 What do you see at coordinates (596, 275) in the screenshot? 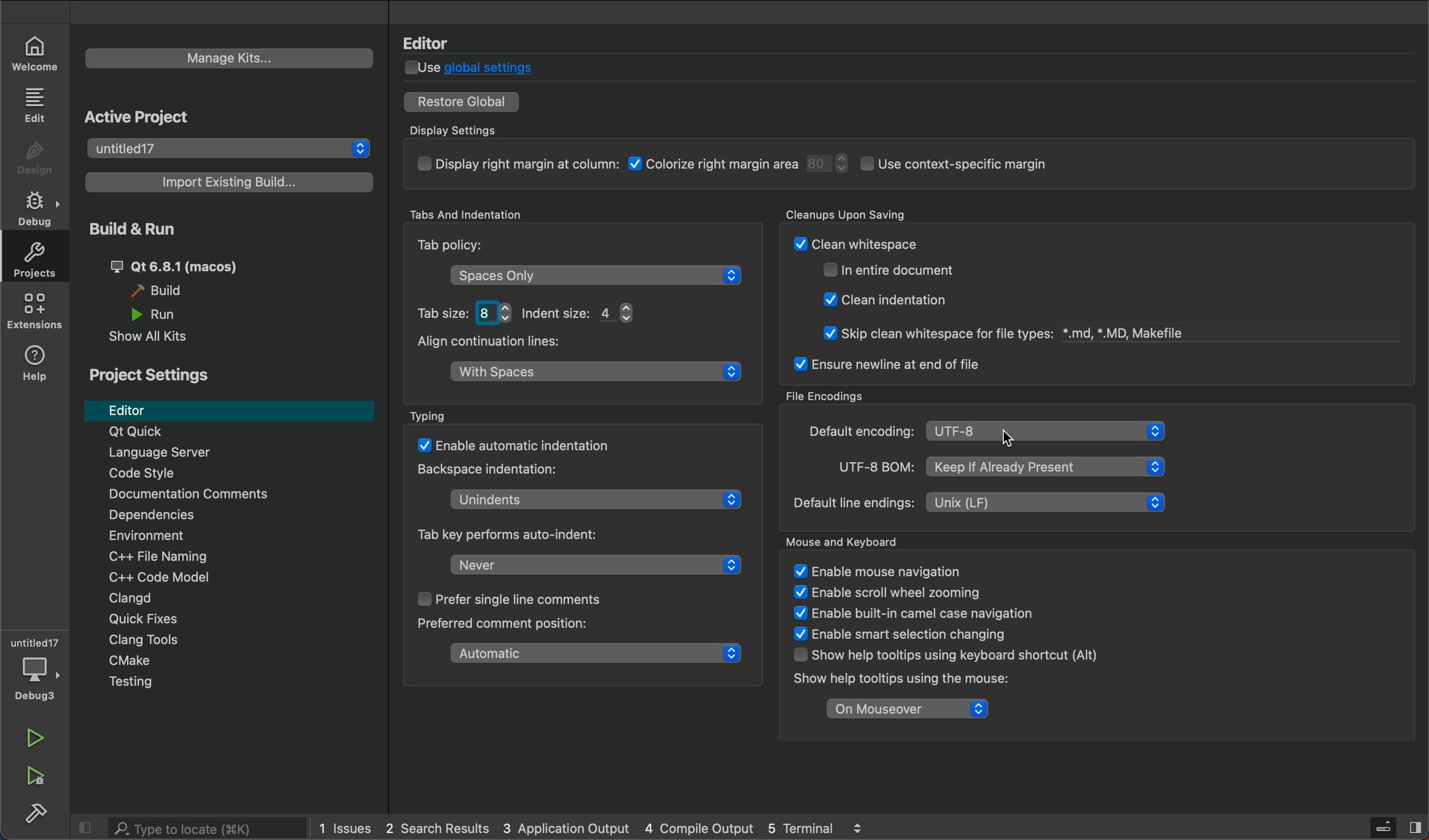
I see `space only` at bounding box center [596, 275].